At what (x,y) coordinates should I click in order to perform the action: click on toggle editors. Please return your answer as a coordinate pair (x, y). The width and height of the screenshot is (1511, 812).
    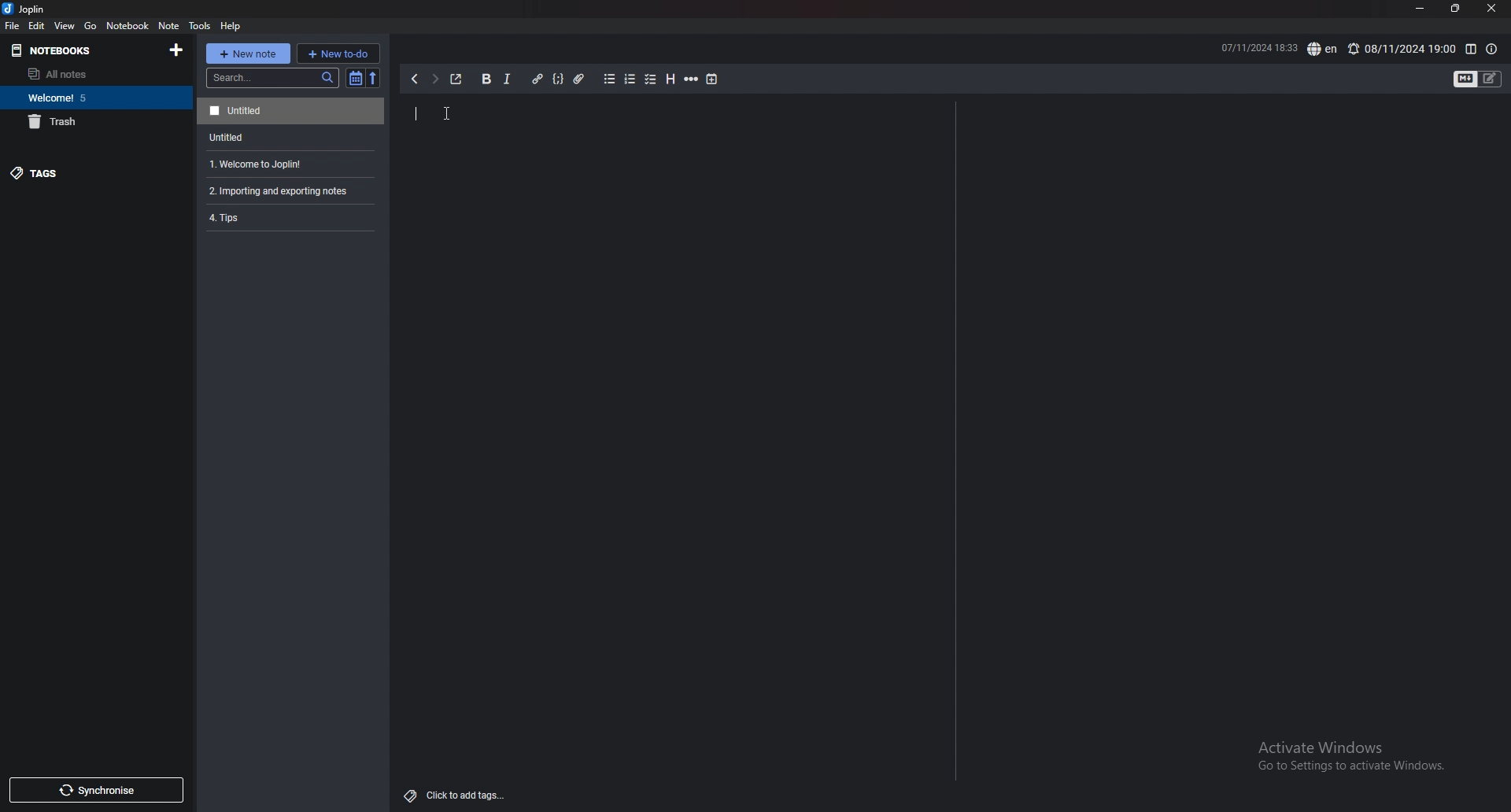
    Looking at the image, I should click on (1478, 79).